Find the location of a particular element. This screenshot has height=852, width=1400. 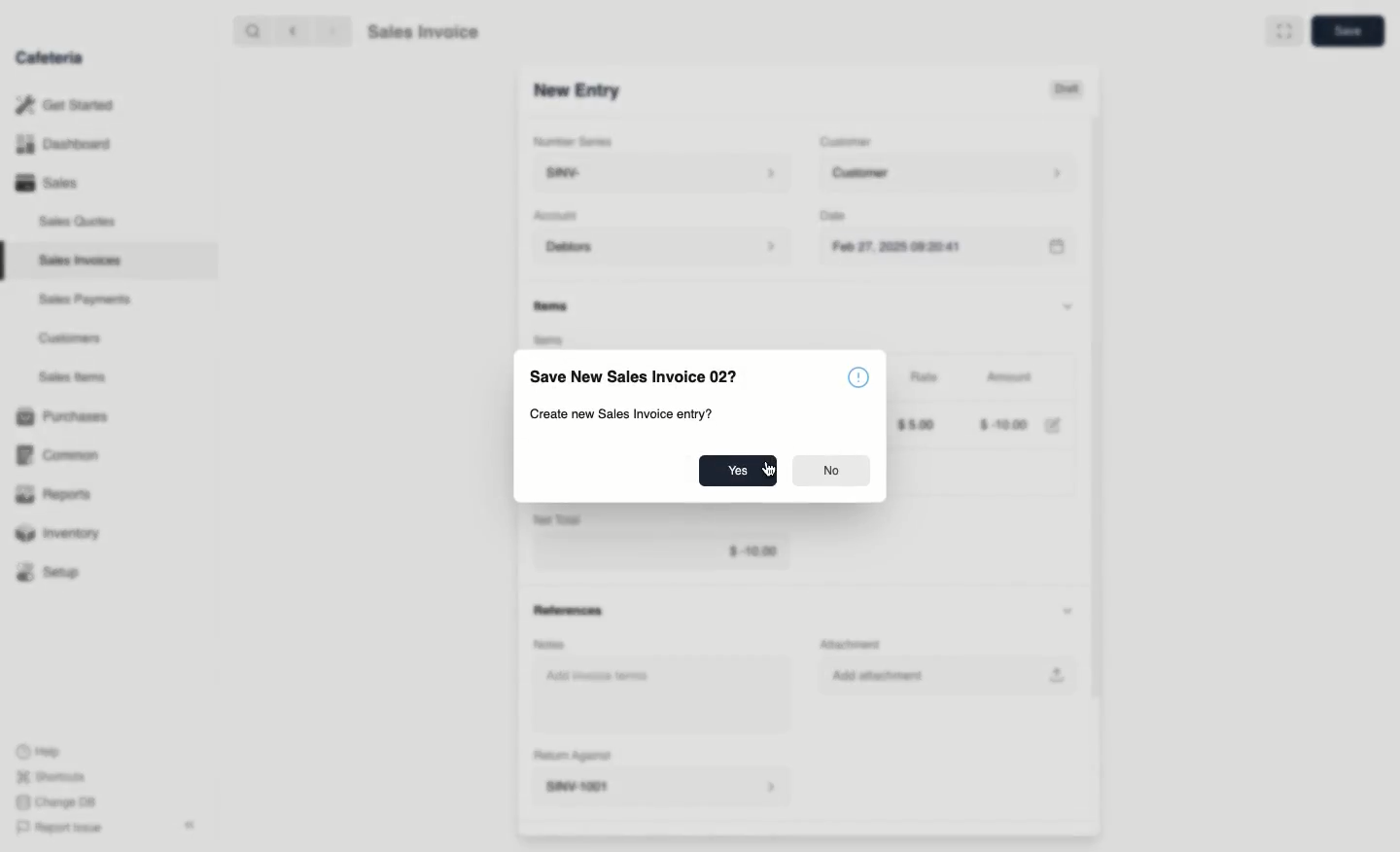

Draft is located at coordinates (1071, 89).